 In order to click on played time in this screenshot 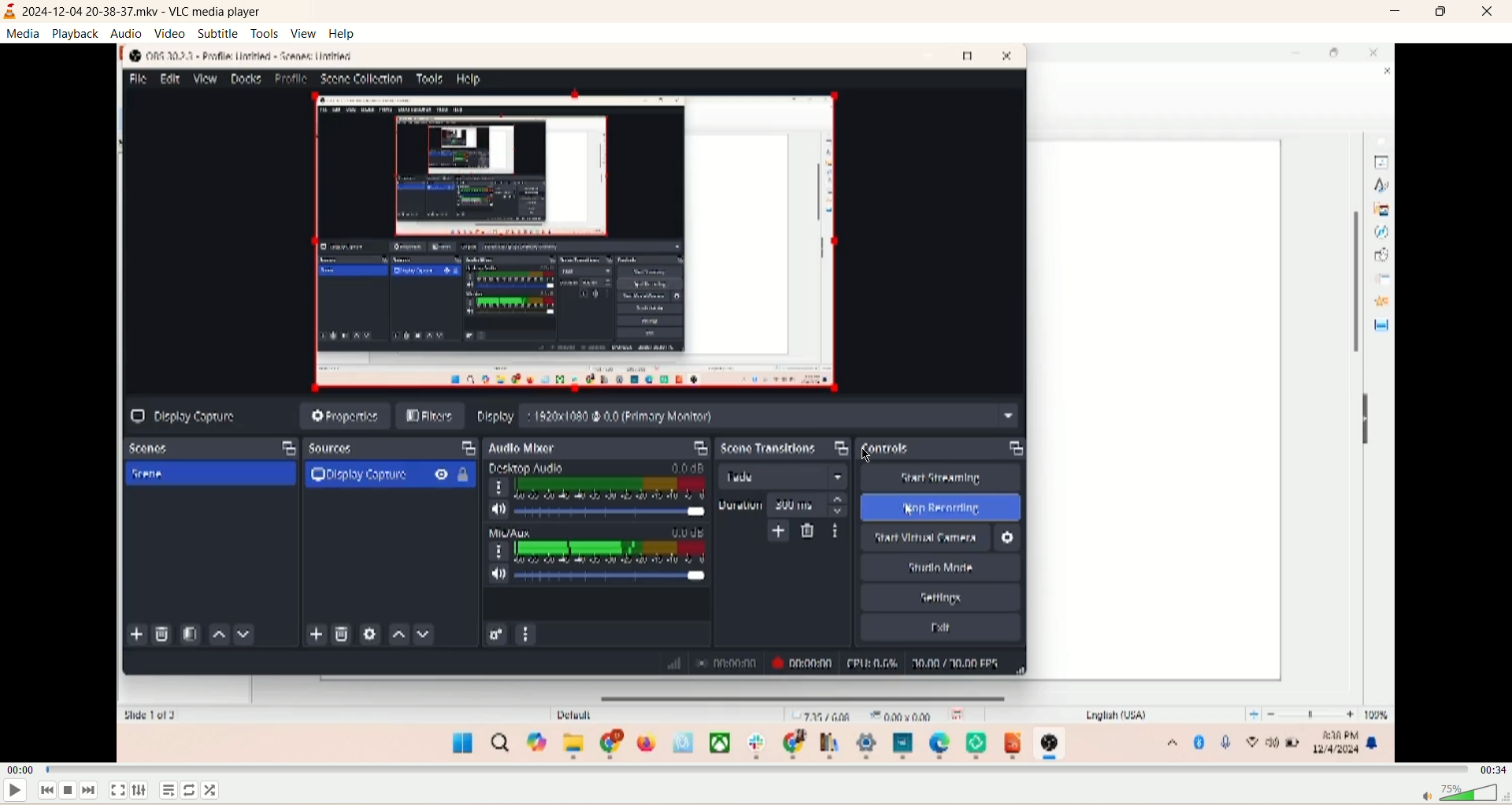, I will do `click(20, 770)`.